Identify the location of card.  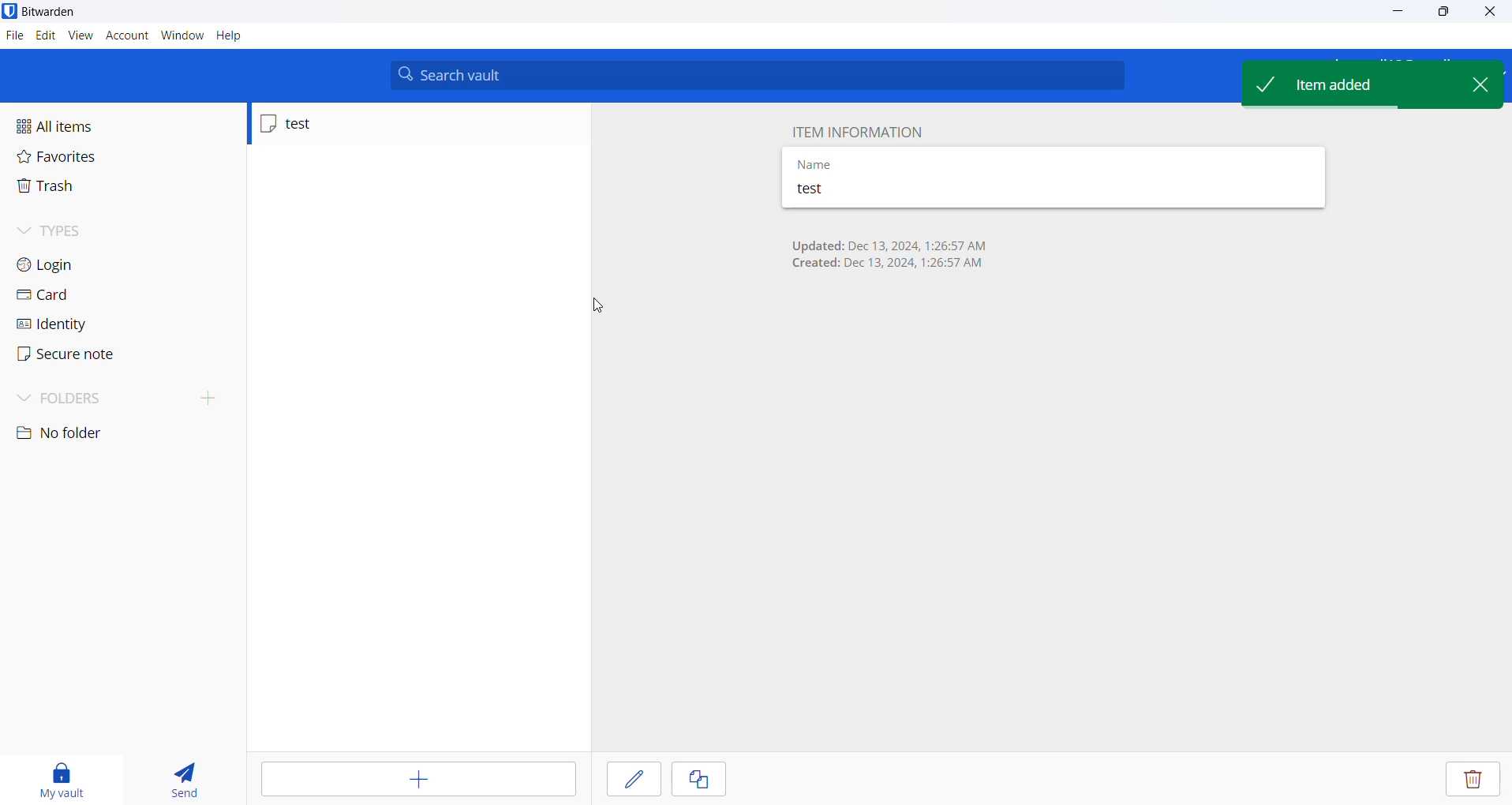
(83, 295).